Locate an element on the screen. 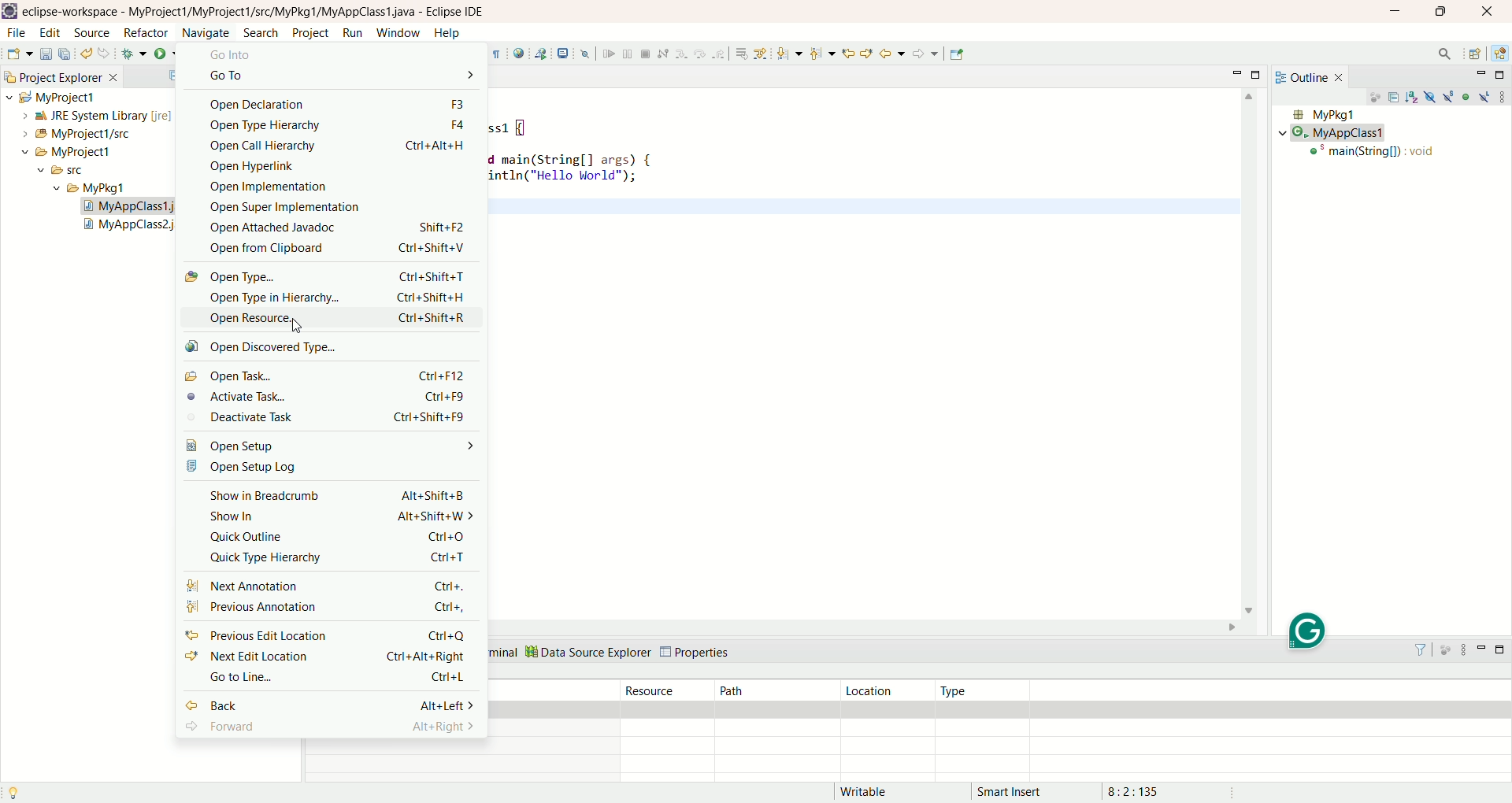 The width and height of the screenshot is (1512, 803). MyAppClass1.j is located at coordinates (139, 208).